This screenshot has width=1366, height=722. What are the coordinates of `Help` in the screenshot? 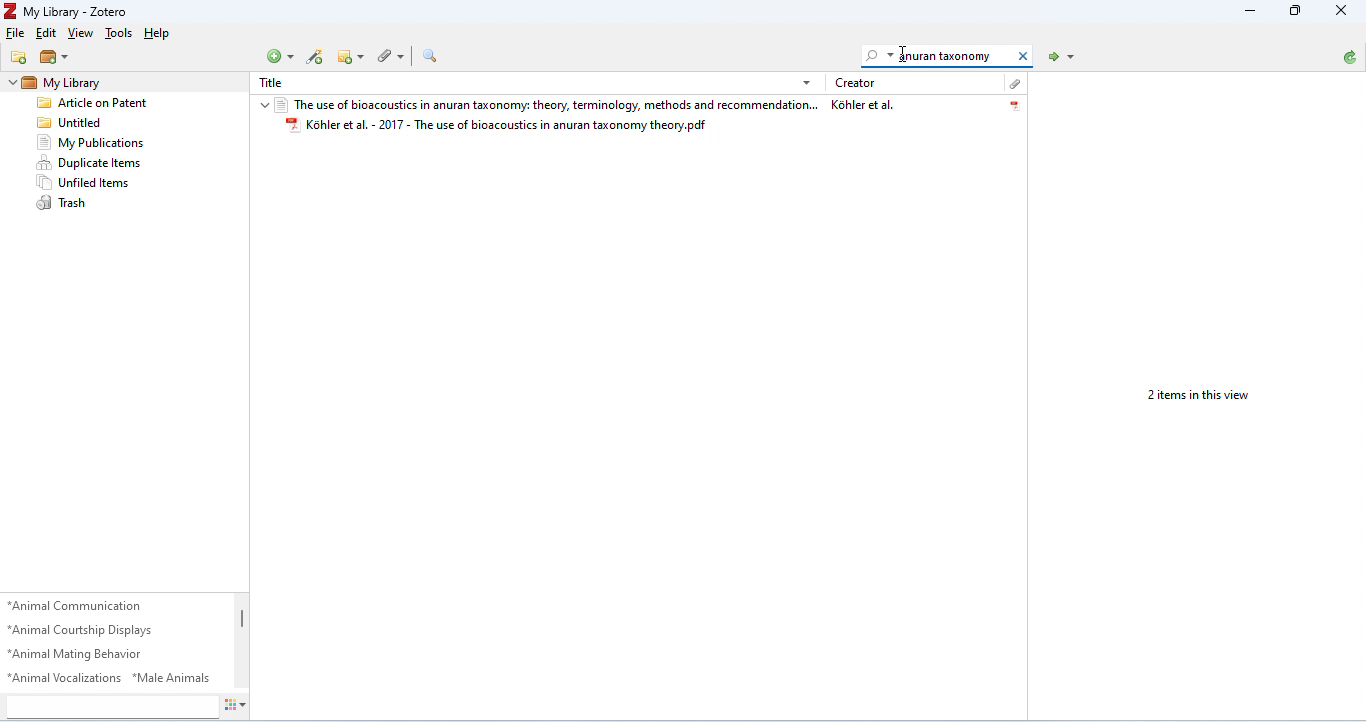 It's located at (158, 34).